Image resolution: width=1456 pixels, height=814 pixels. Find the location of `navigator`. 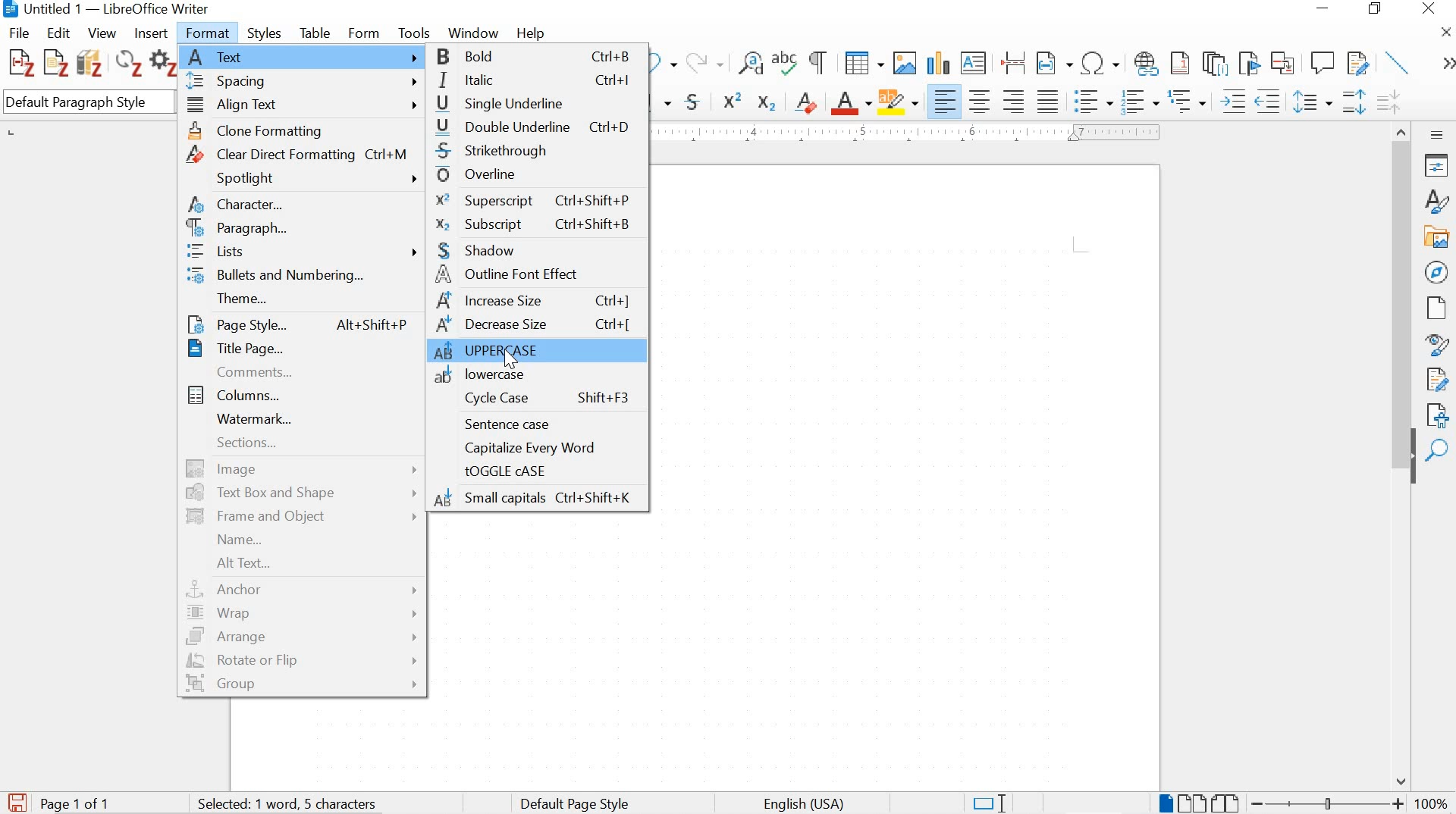

navigator is located at coordinates (1436, 271).